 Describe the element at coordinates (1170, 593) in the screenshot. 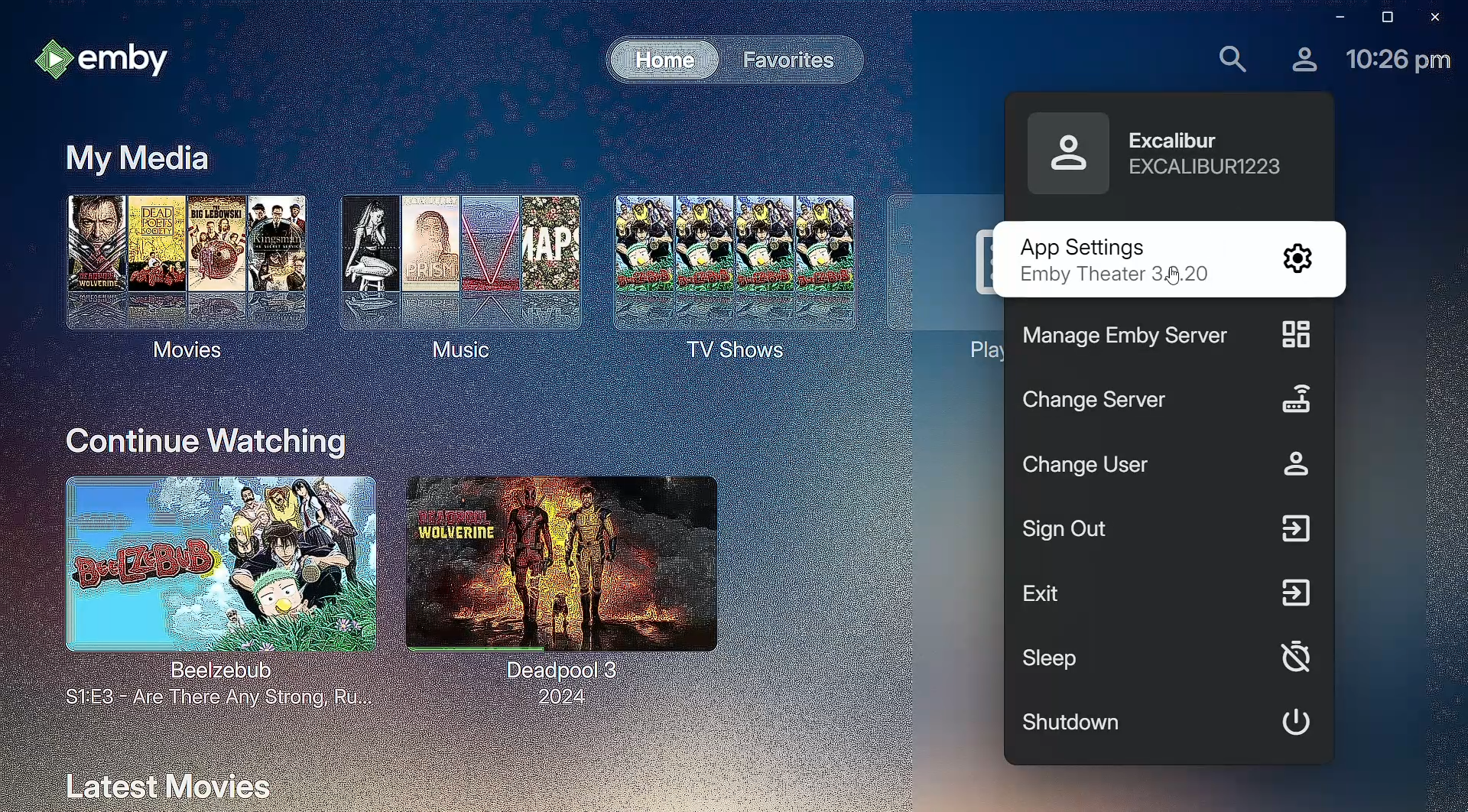

I see `Exit` at that location.